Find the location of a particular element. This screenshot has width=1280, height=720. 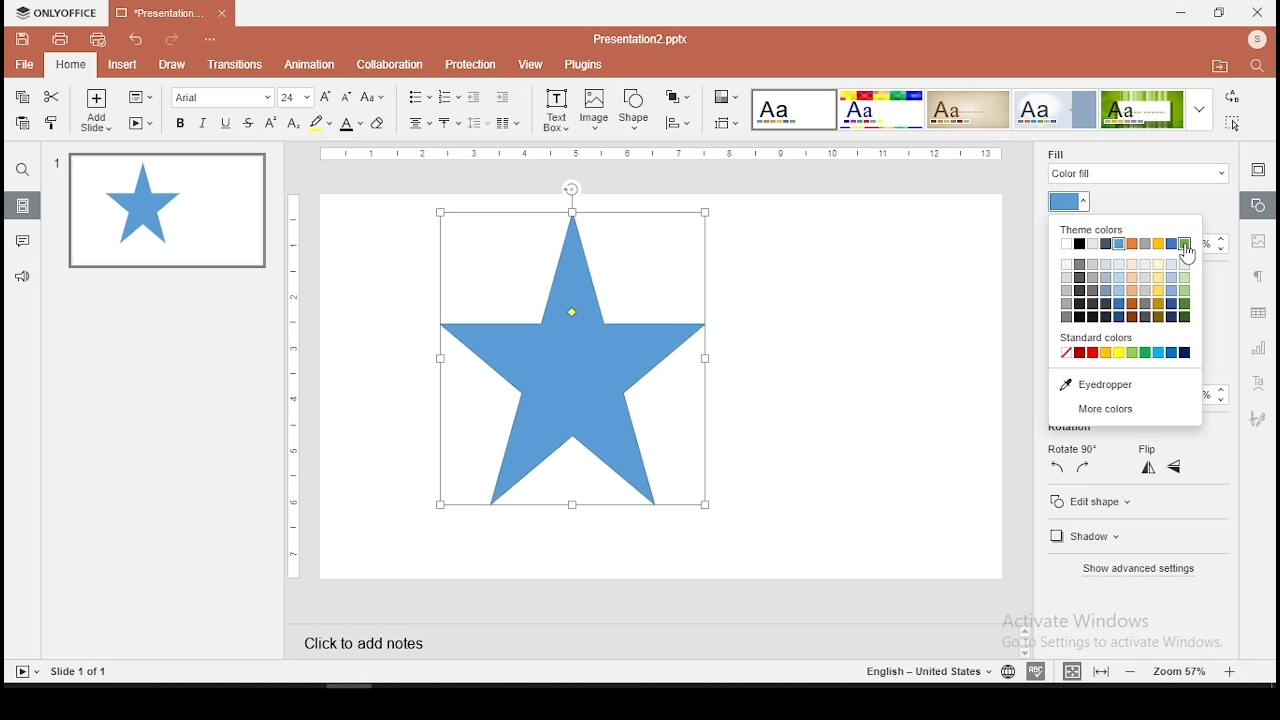

italics is located at coordinates (202, 123).